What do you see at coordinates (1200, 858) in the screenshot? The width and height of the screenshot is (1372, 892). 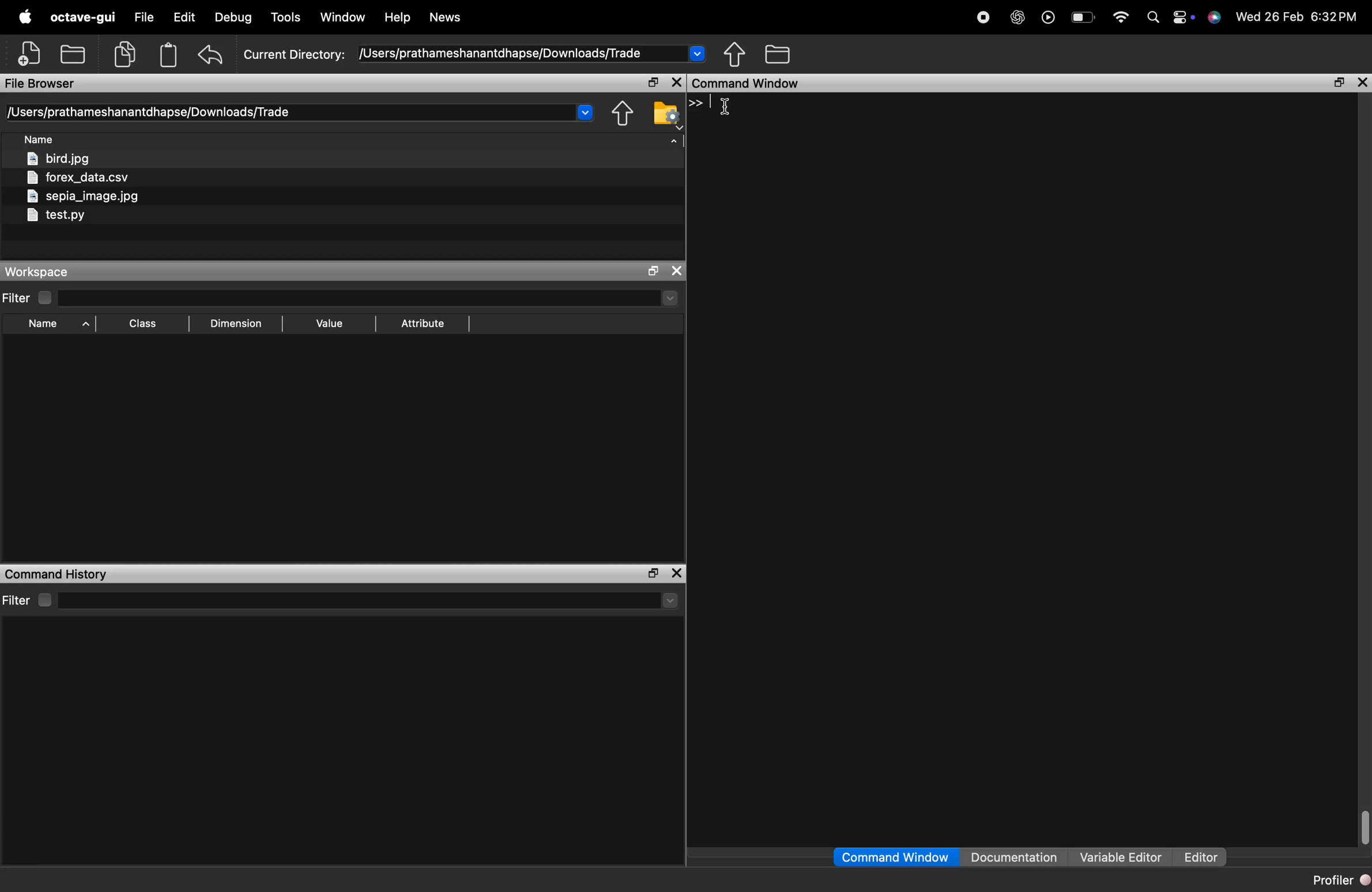 I see `editor` at bounding box center [1200, 858].